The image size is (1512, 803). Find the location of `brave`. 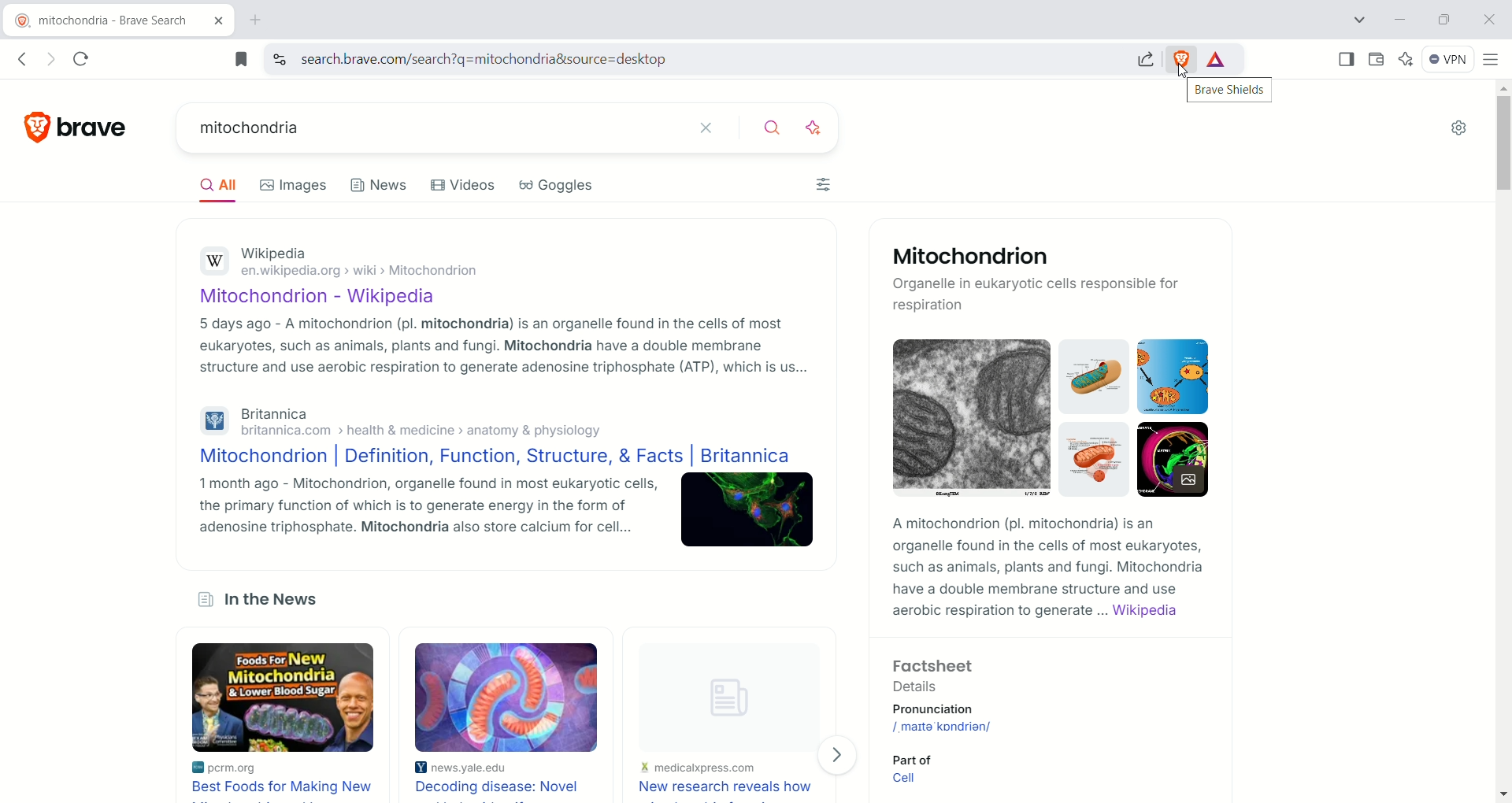

brave is located at coordinates (89, 129).